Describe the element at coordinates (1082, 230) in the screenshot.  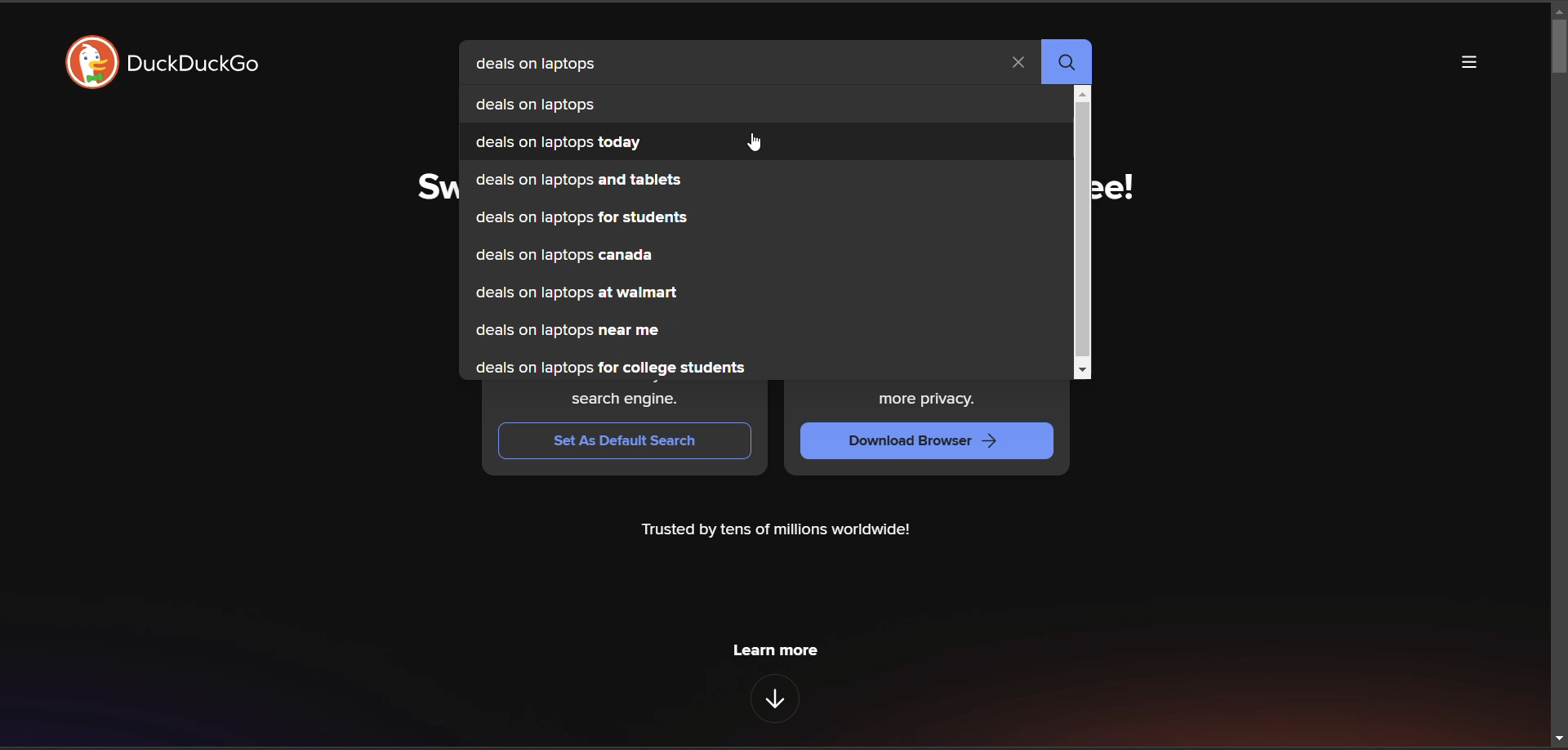
I see `vertical scroll bar` at that location.